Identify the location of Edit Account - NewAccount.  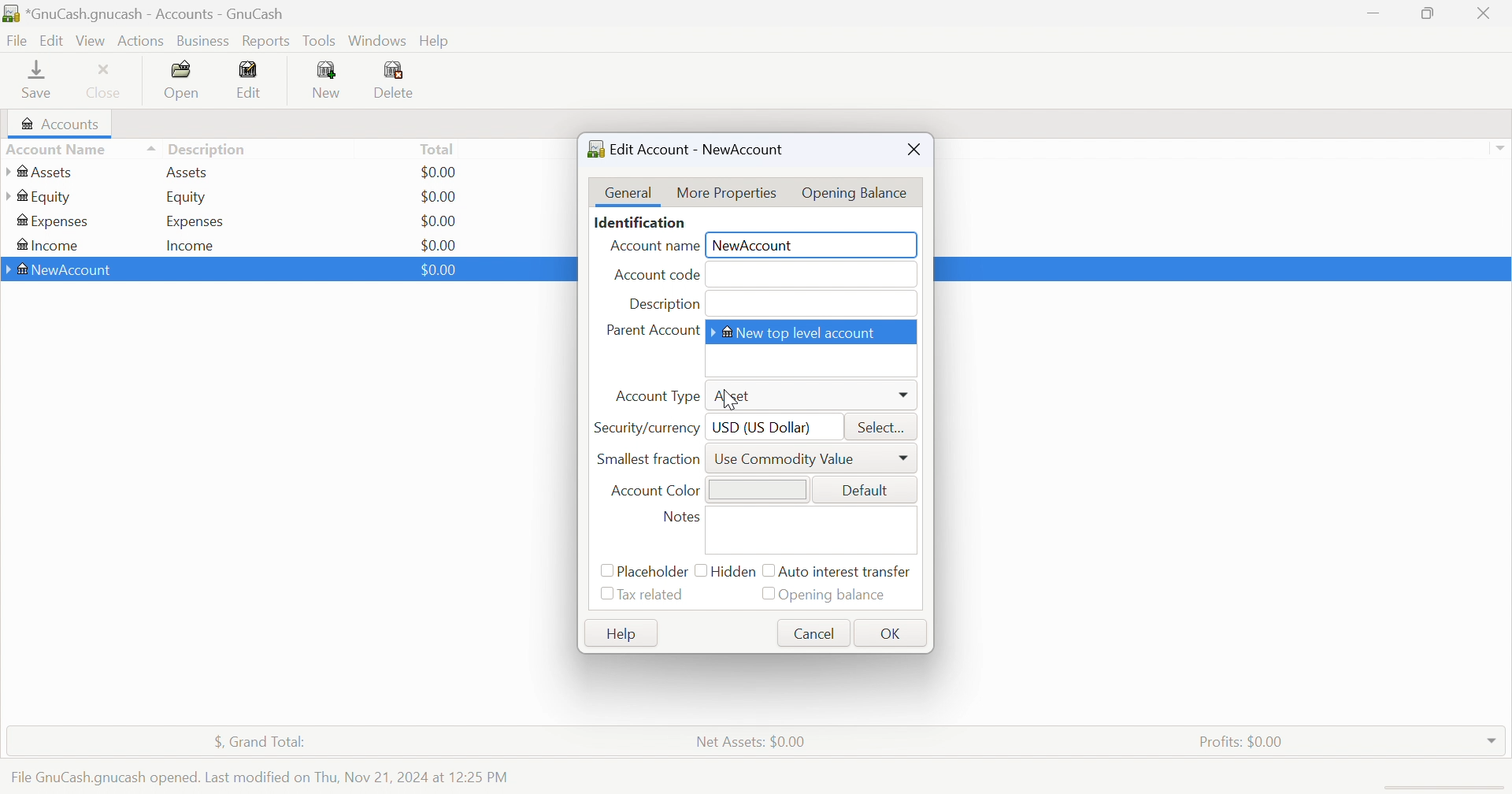
(687, 149).